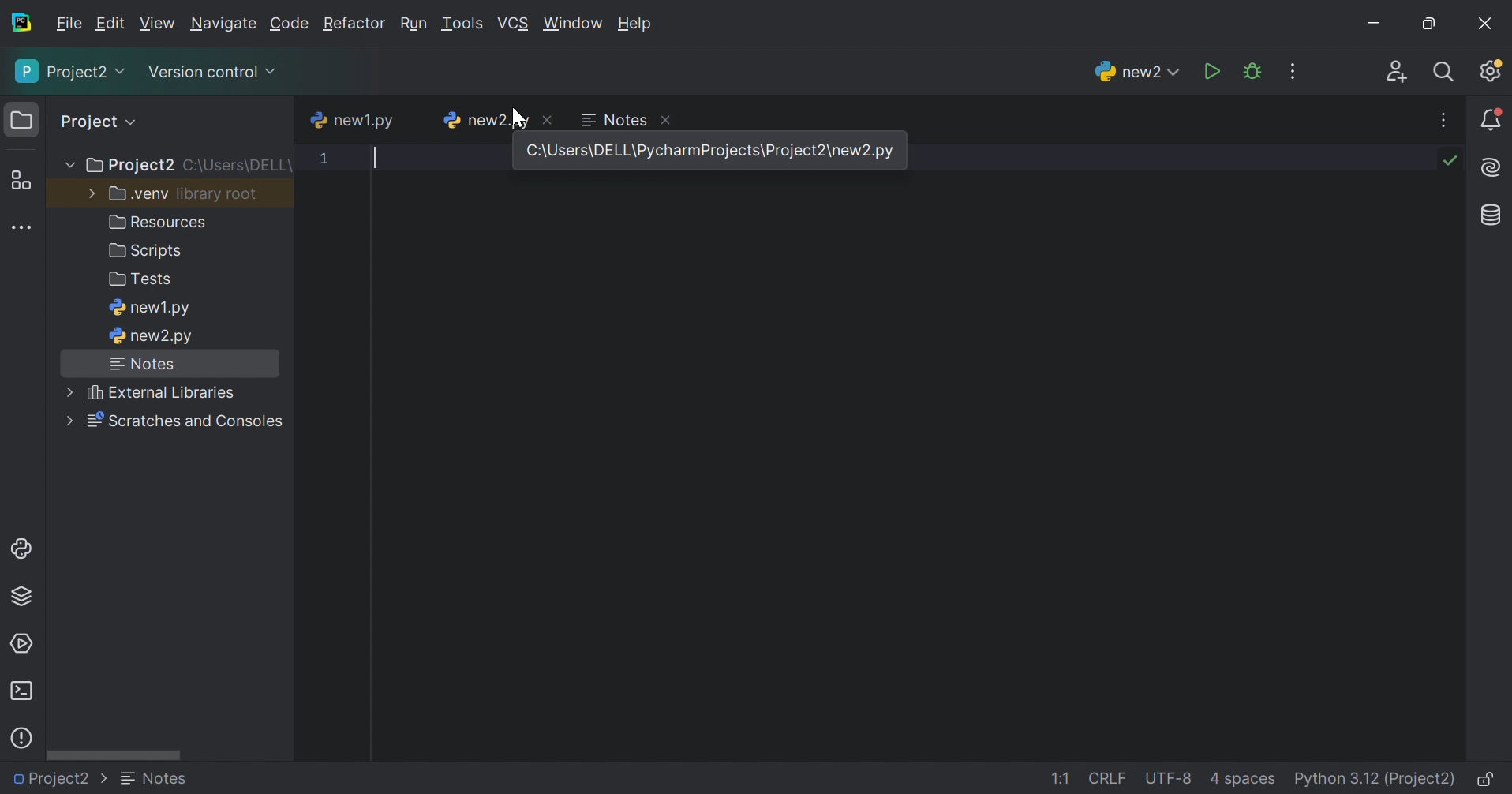  I want to click on Updates available. IDE and Project Settings., so click(1493, 73).